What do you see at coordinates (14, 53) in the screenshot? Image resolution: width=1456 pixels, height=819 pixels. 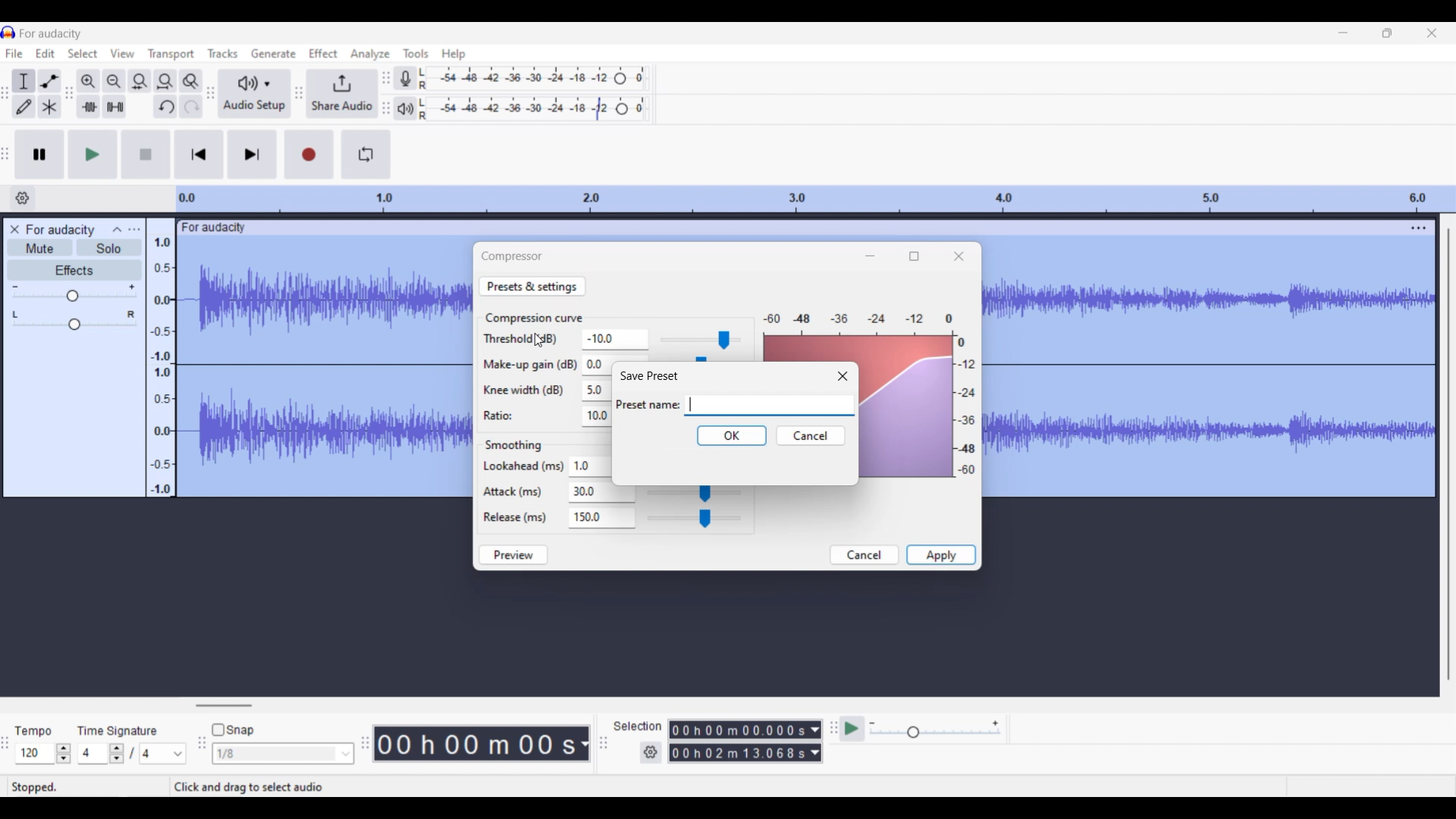 I see `File` at bounding box center [14, 53].